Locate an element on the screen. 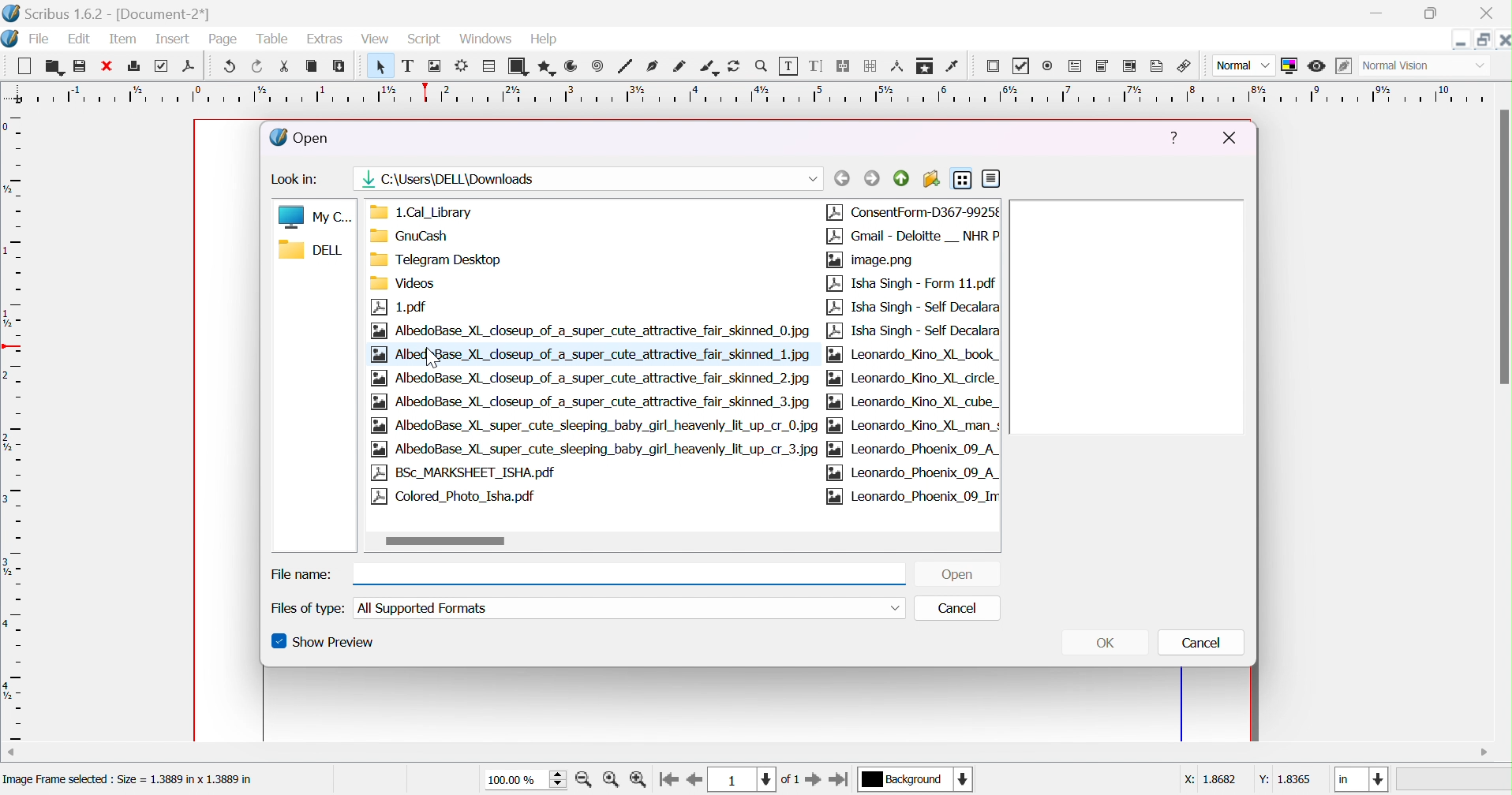  Colored_Photo_Isha.pdf is located at coordinates (452, 500).